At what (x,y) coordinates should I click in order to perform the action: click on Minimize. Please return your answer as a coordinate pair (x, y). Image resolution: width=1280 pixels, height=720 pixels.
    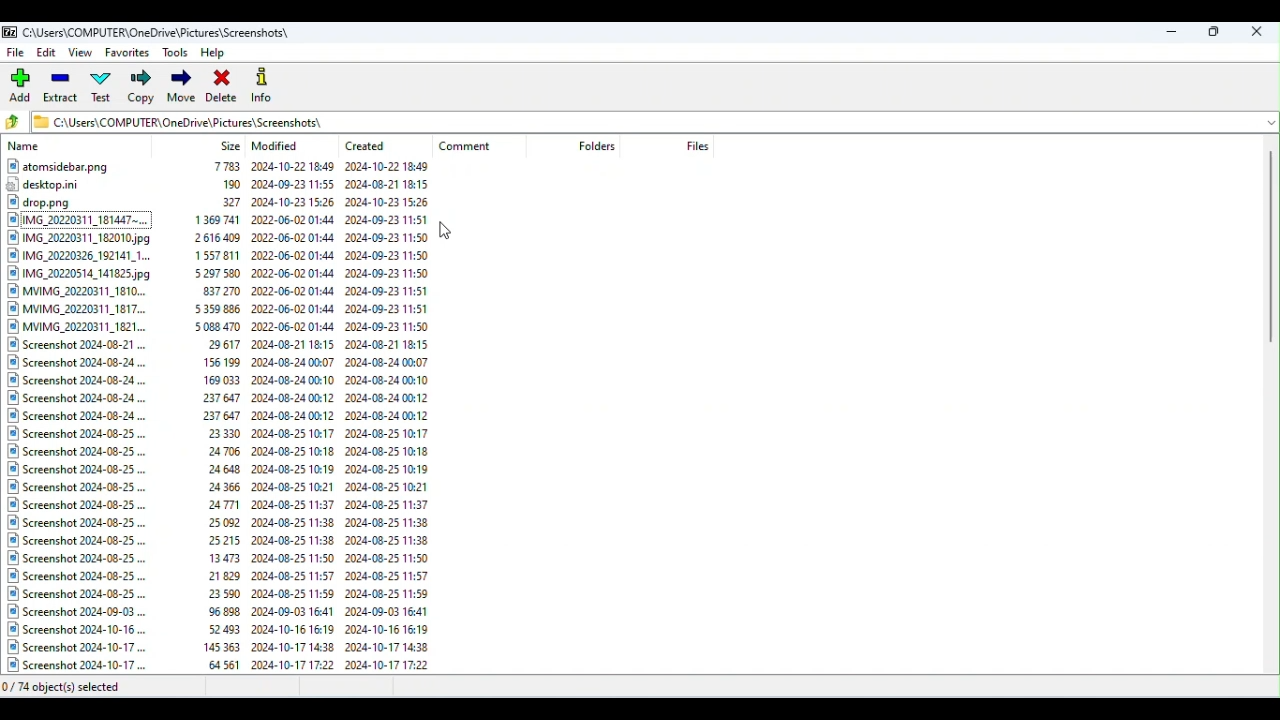
    Looking at the image, I should click on (1174, 30).